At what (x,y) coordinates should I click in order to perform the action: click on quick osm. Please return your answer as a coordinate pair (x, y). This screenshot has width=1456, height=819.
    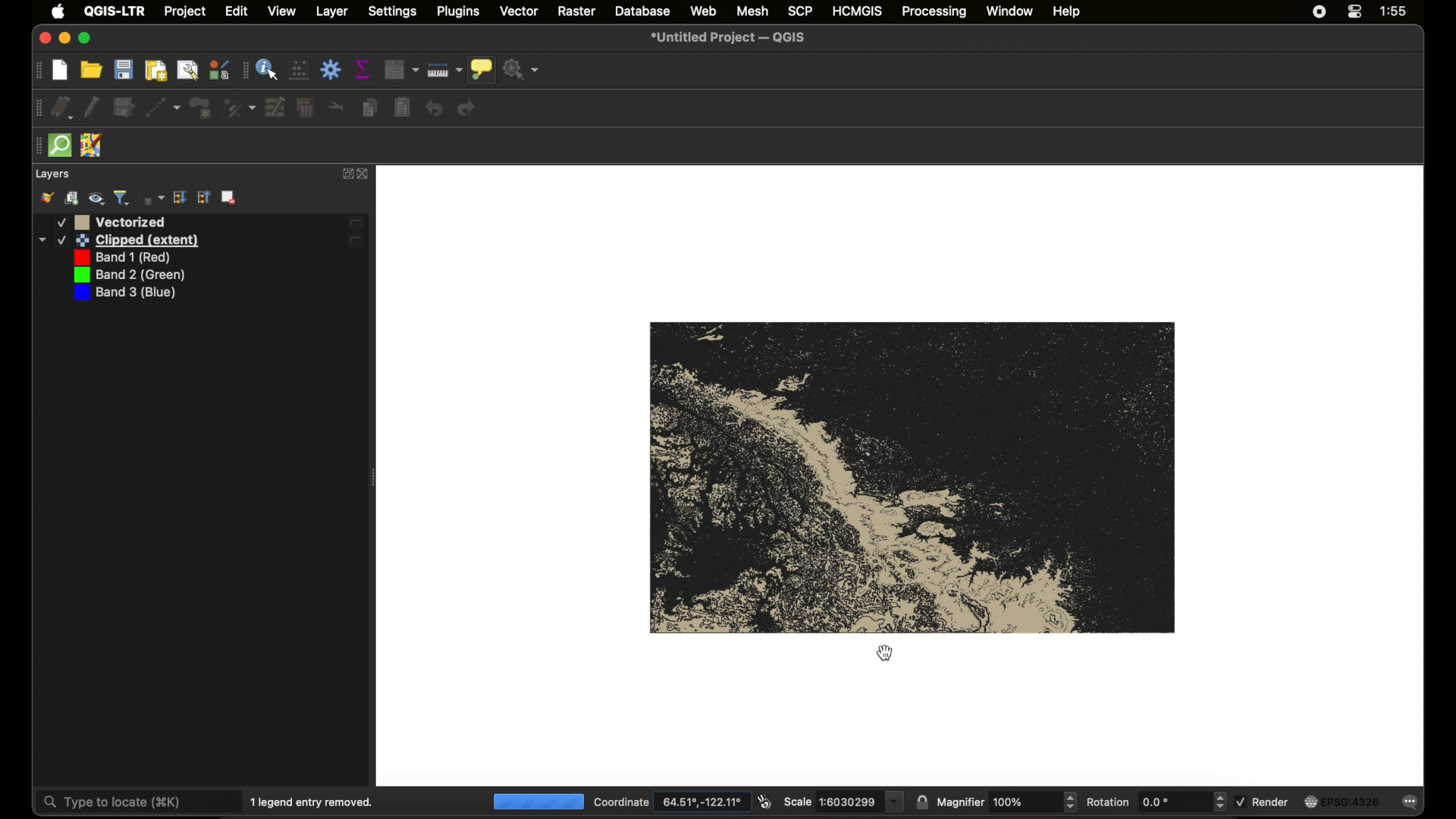
    Looking at the image, I should click on (60, 145).